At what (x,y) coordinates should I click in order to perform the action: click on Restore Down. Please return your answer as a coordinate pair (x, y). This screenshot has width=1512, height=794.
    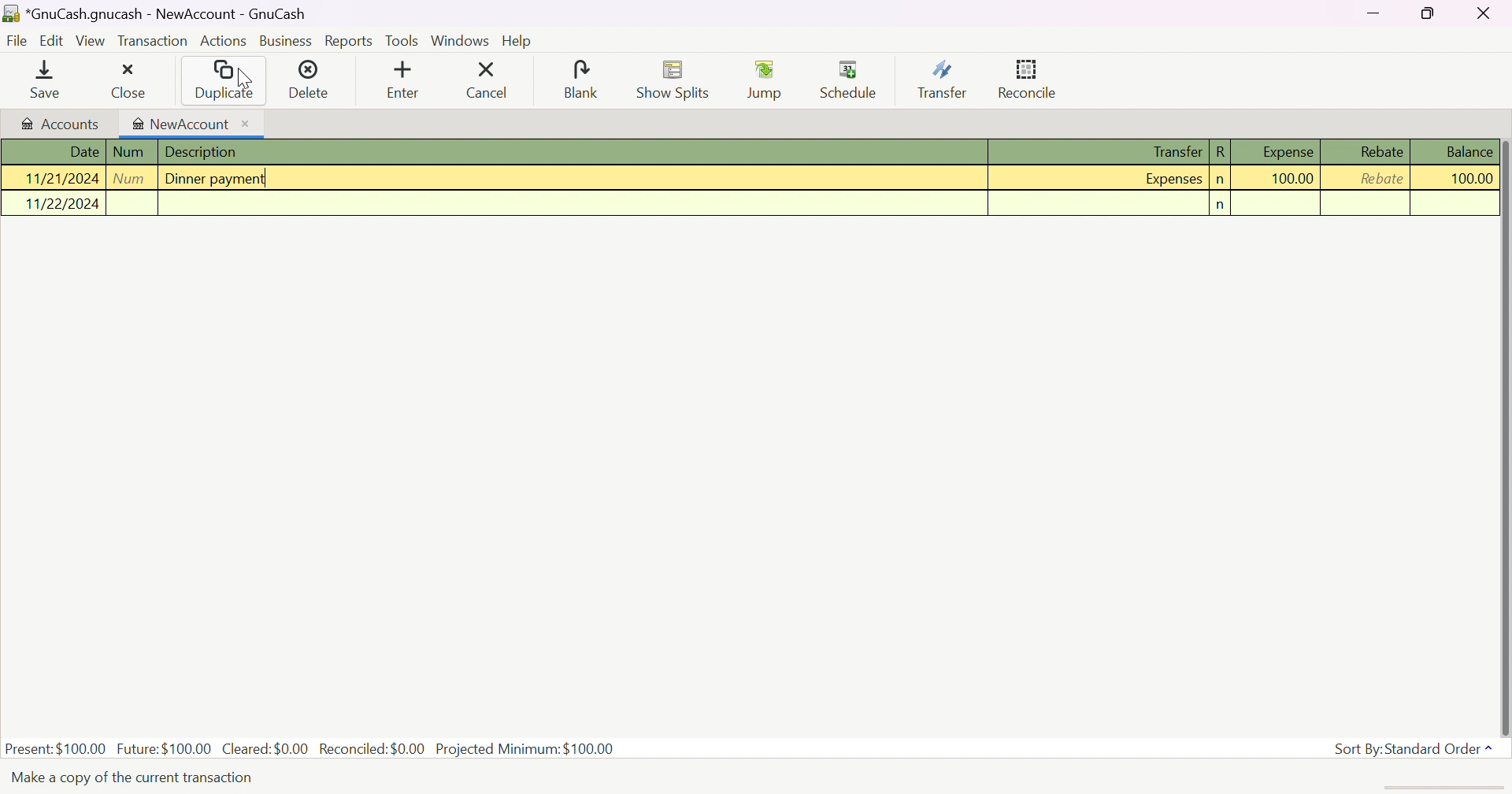
    Looking at the image, I should click on (1430, 13).